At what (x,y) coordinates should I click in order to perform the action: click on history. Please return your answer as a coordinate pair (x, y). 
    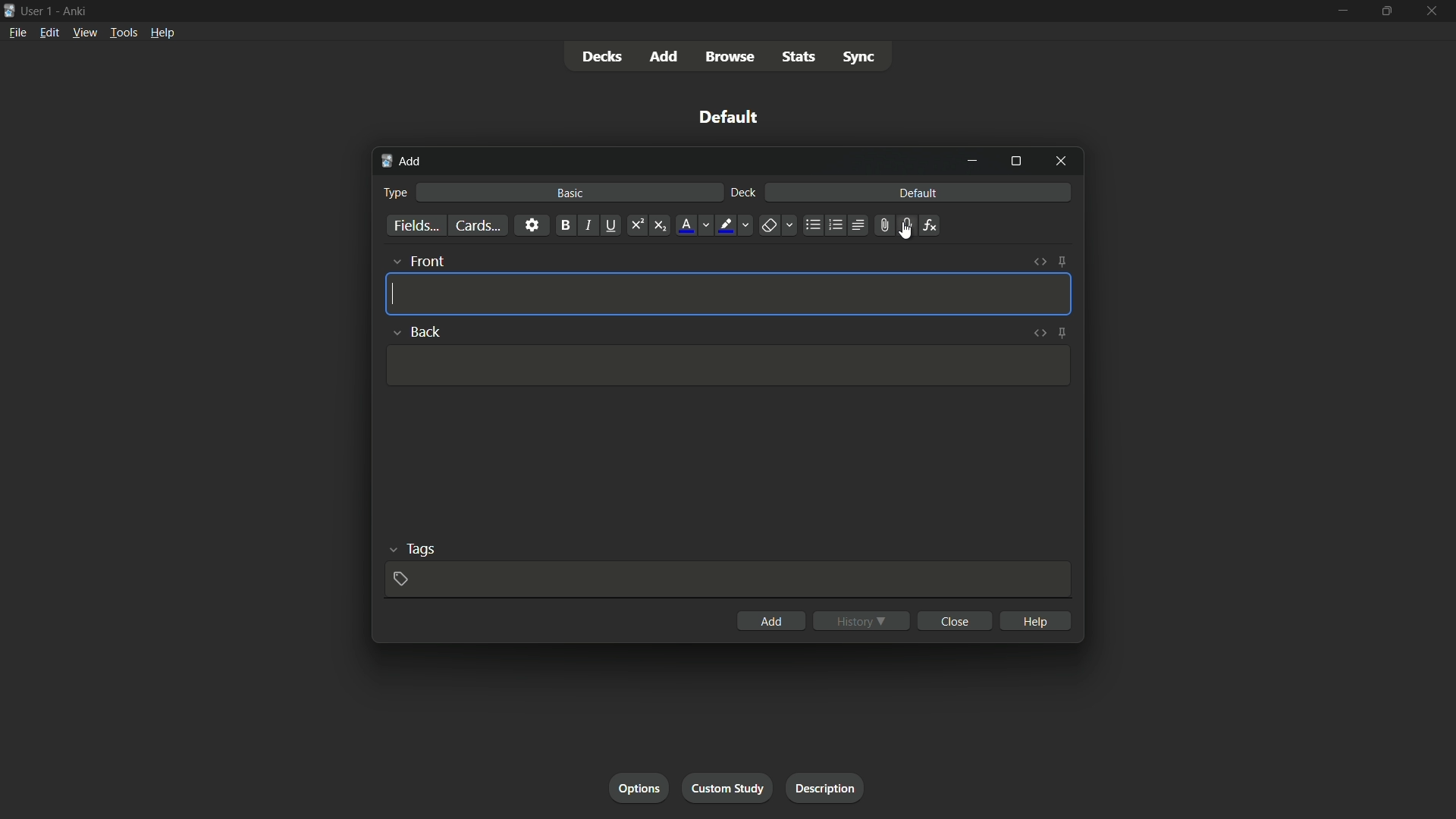
    Looking at the image, I should click on (861, 620).